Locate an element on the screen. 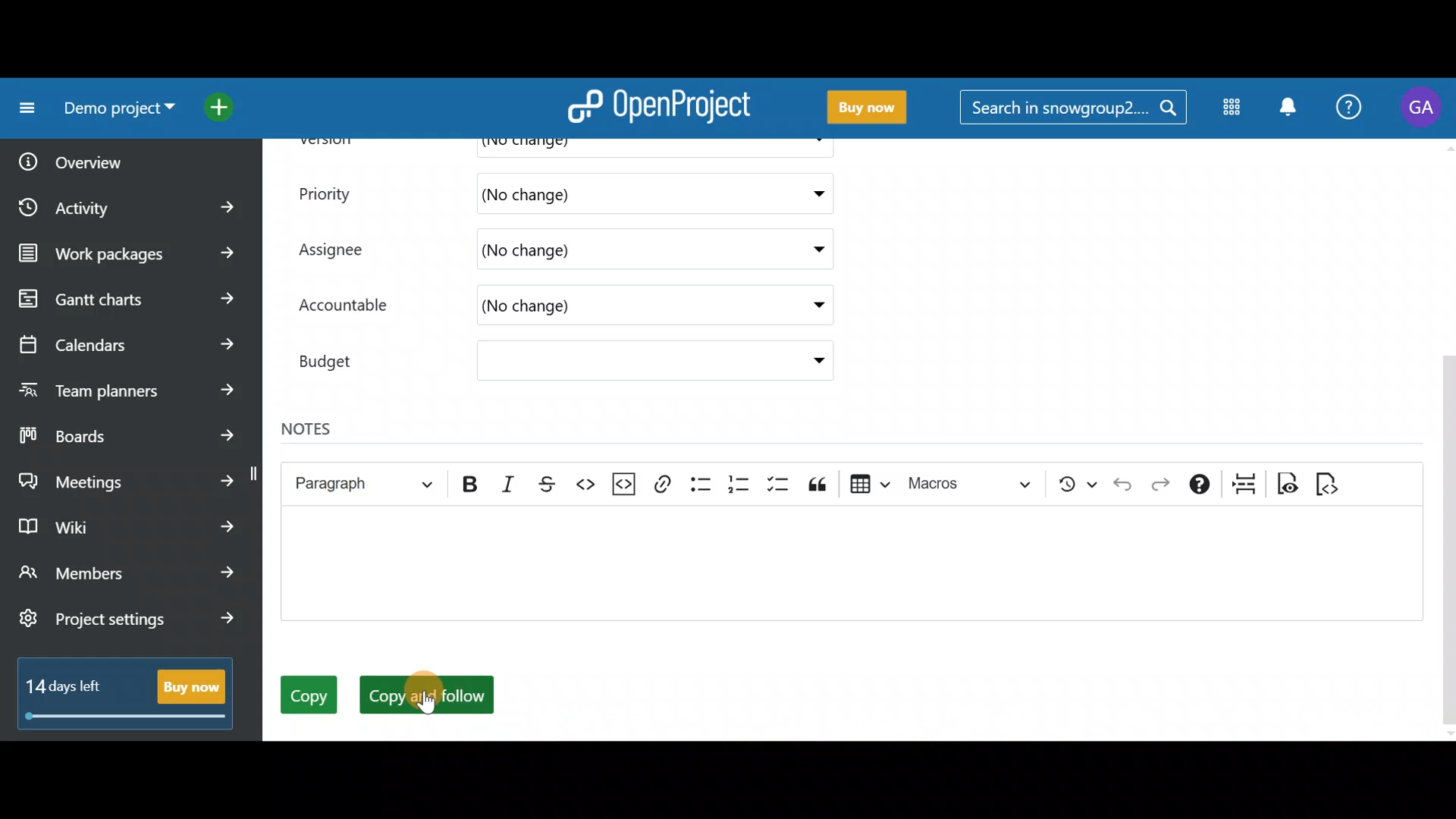  Boards is located at coordinates (128, 431).